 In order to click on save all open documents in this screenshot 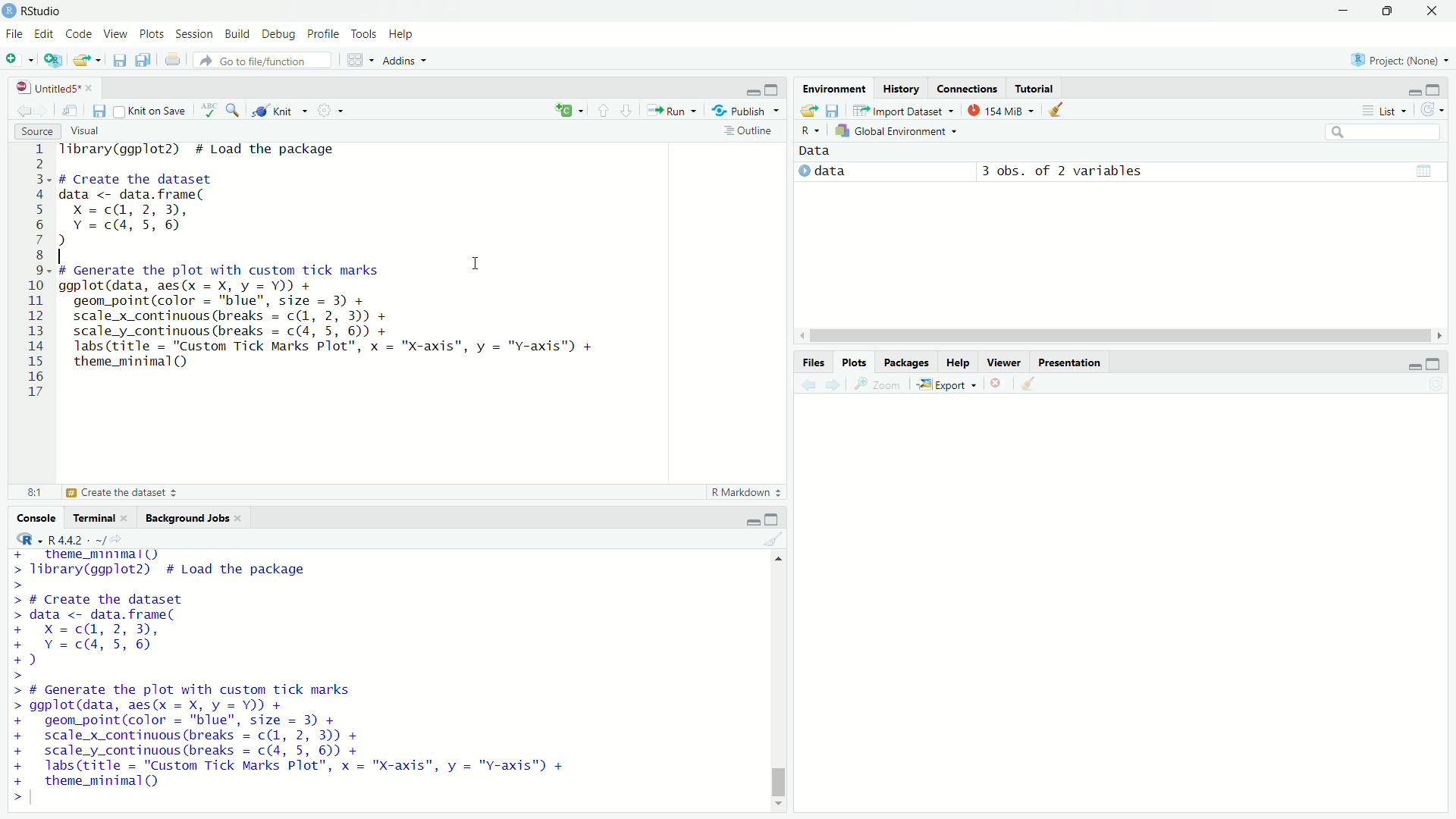, I will do `click(142, 61)`.